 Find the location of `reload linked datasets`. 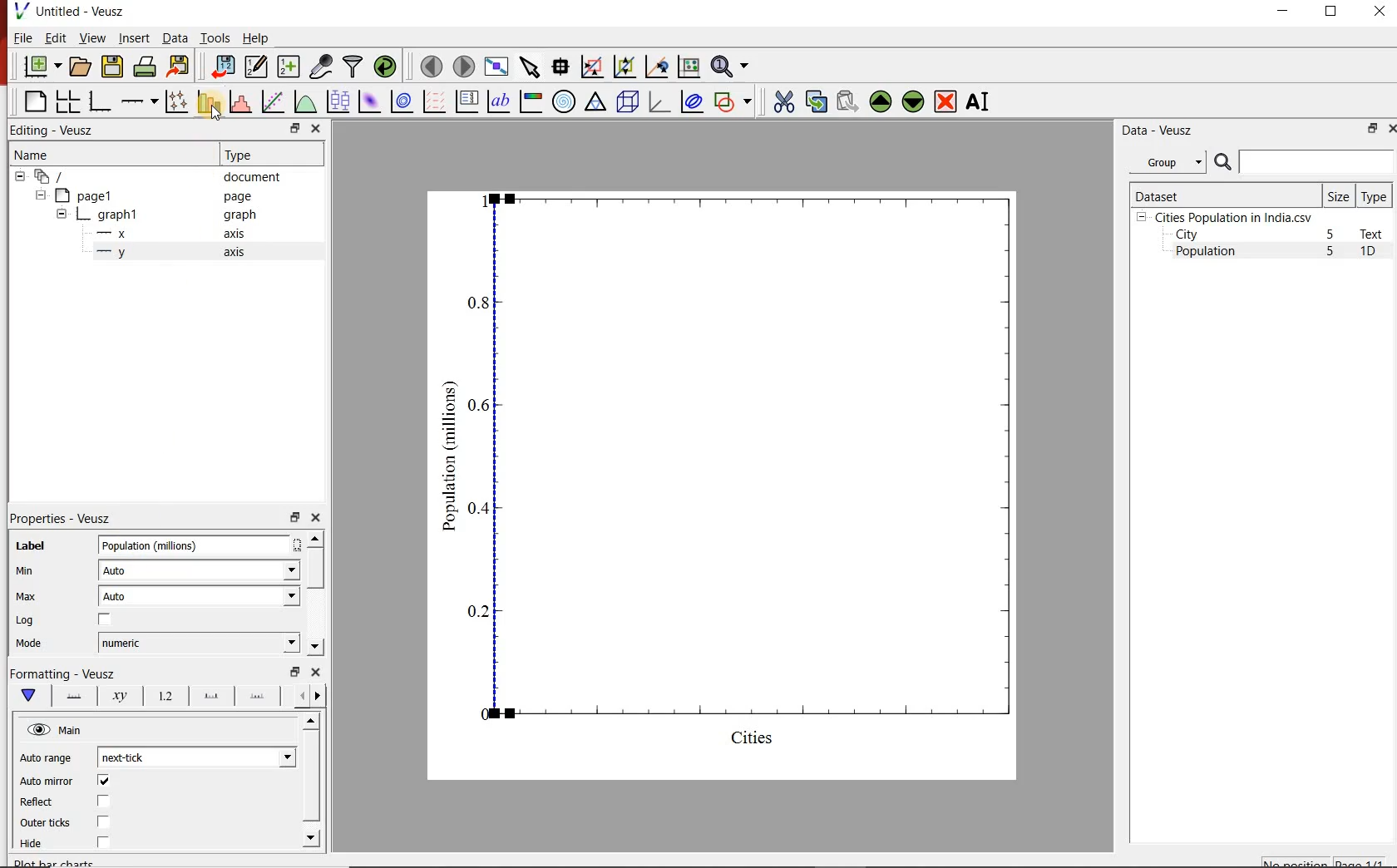

reload linked datasets is located at coordinates (384, 67).